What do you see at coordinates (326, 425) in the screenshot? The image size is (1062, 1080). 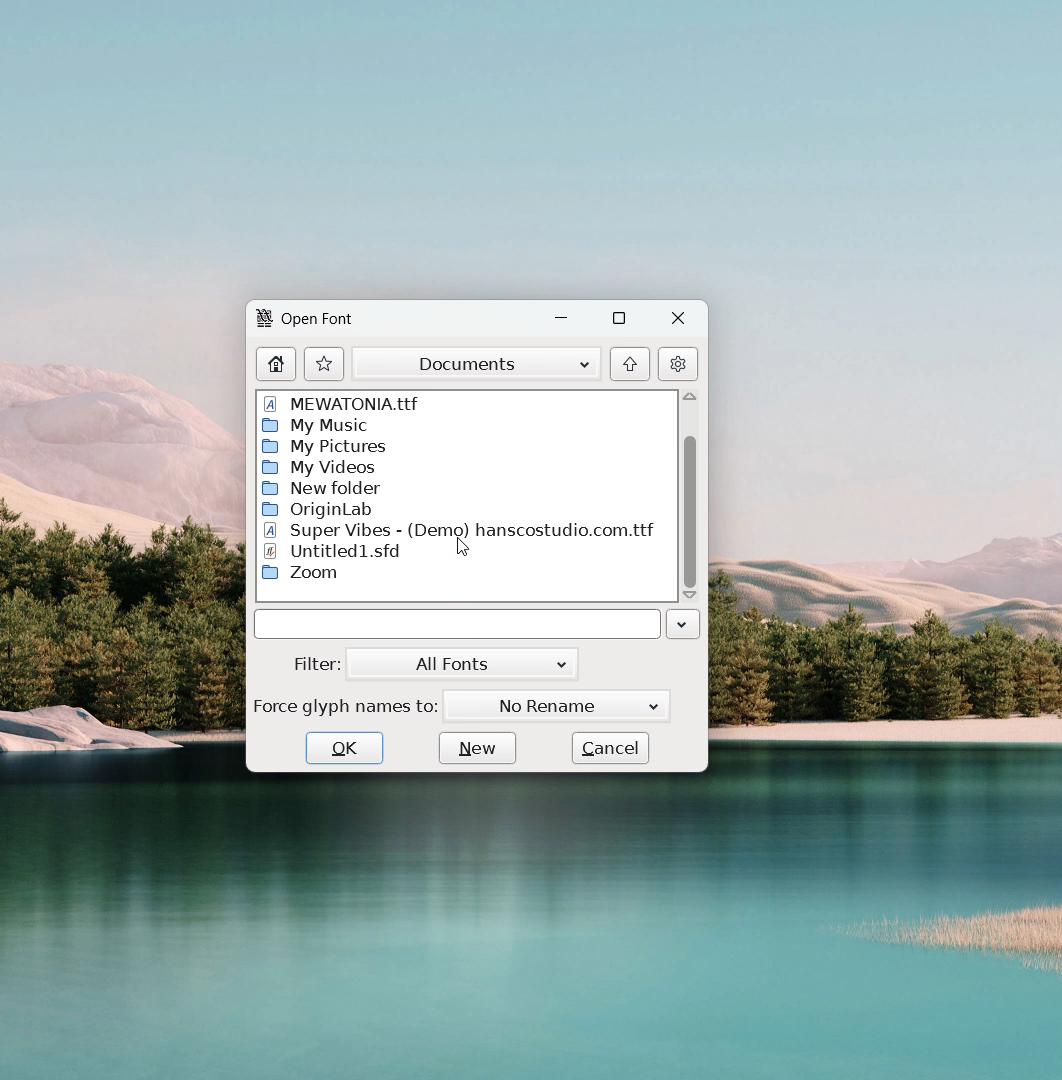 I see `My Music` at bounding box center [326, 425].